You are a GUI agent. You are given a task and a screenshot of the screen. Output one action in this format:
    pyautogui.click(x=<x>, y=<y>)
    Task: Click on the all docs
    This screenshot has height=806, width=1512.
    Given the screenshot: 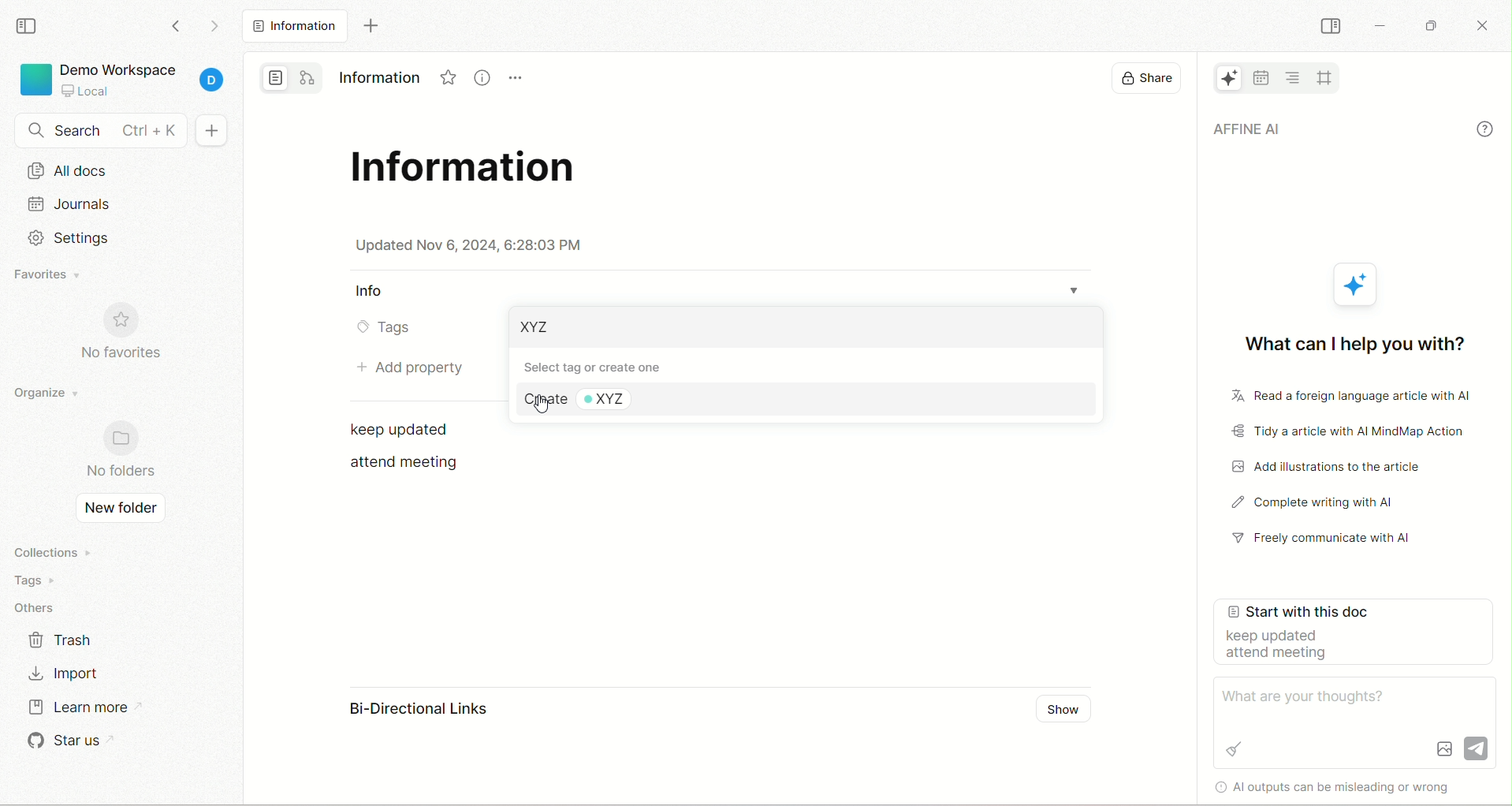 What is the action you would take?
    pyautogui.click(x=294, y=26)
    